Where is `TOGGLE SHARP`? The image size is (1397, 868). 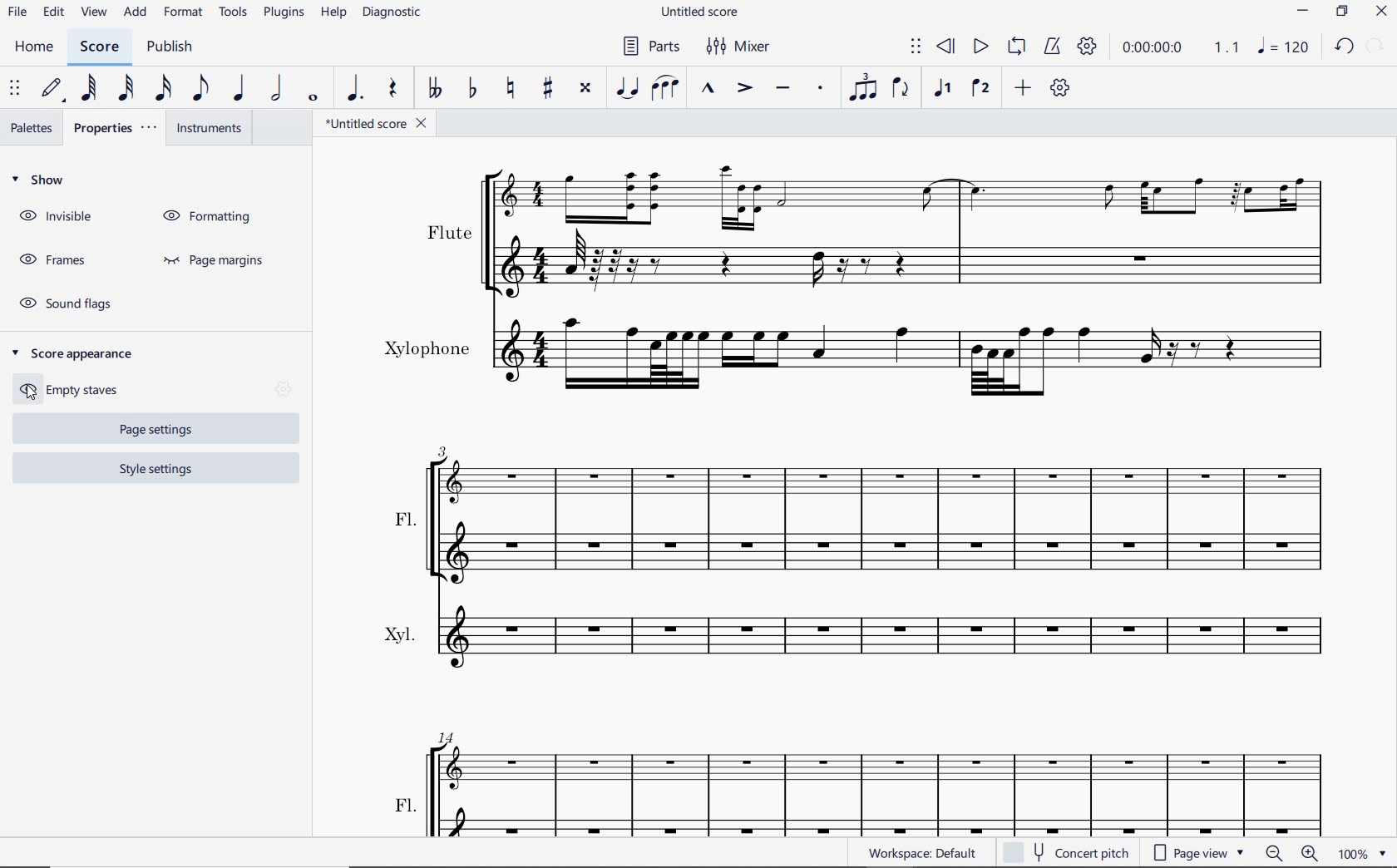
TOGGLE SHARP is located at coordinates (545, 89).